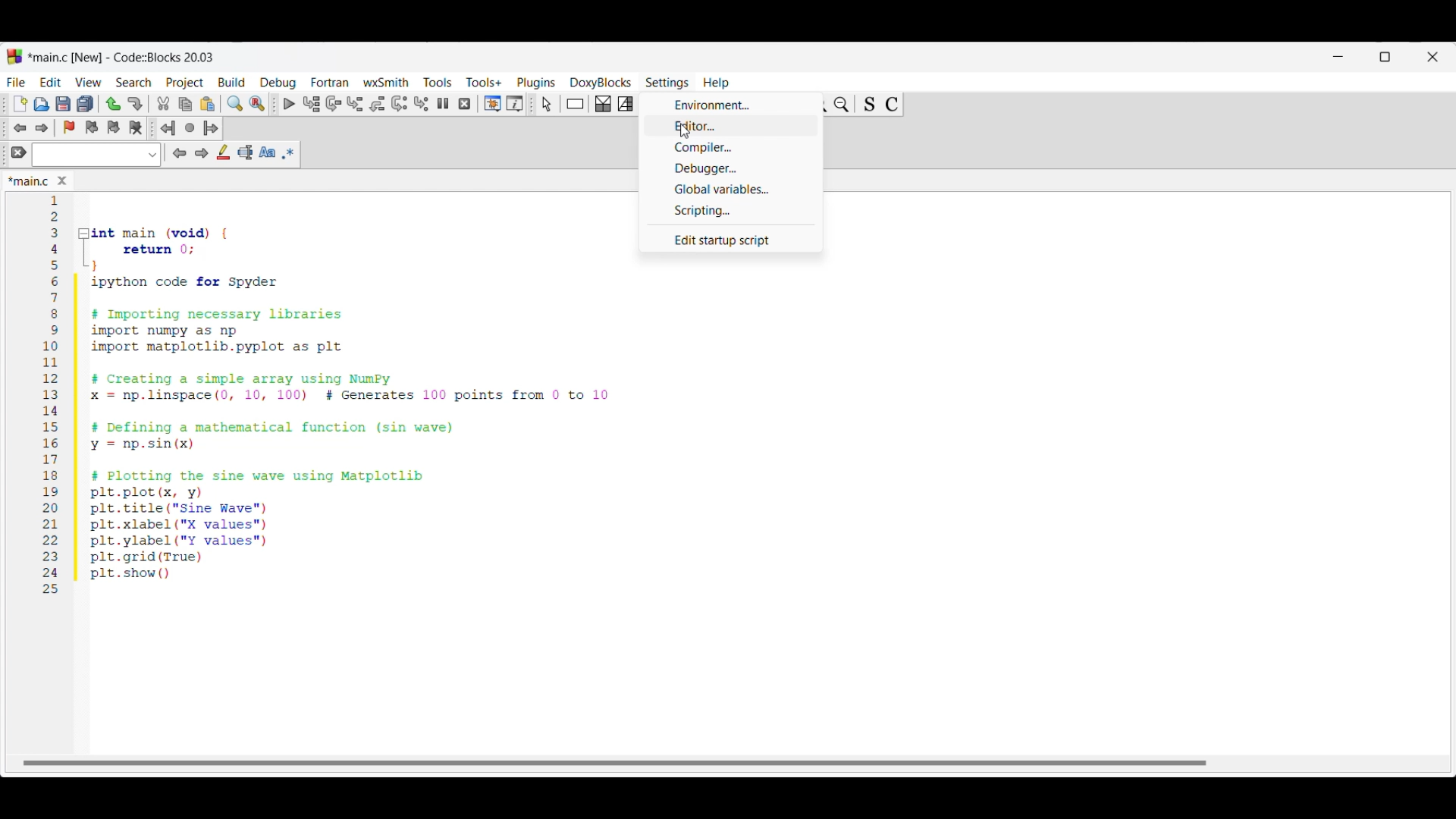  I want to click on Highlight, so click(223, 152).